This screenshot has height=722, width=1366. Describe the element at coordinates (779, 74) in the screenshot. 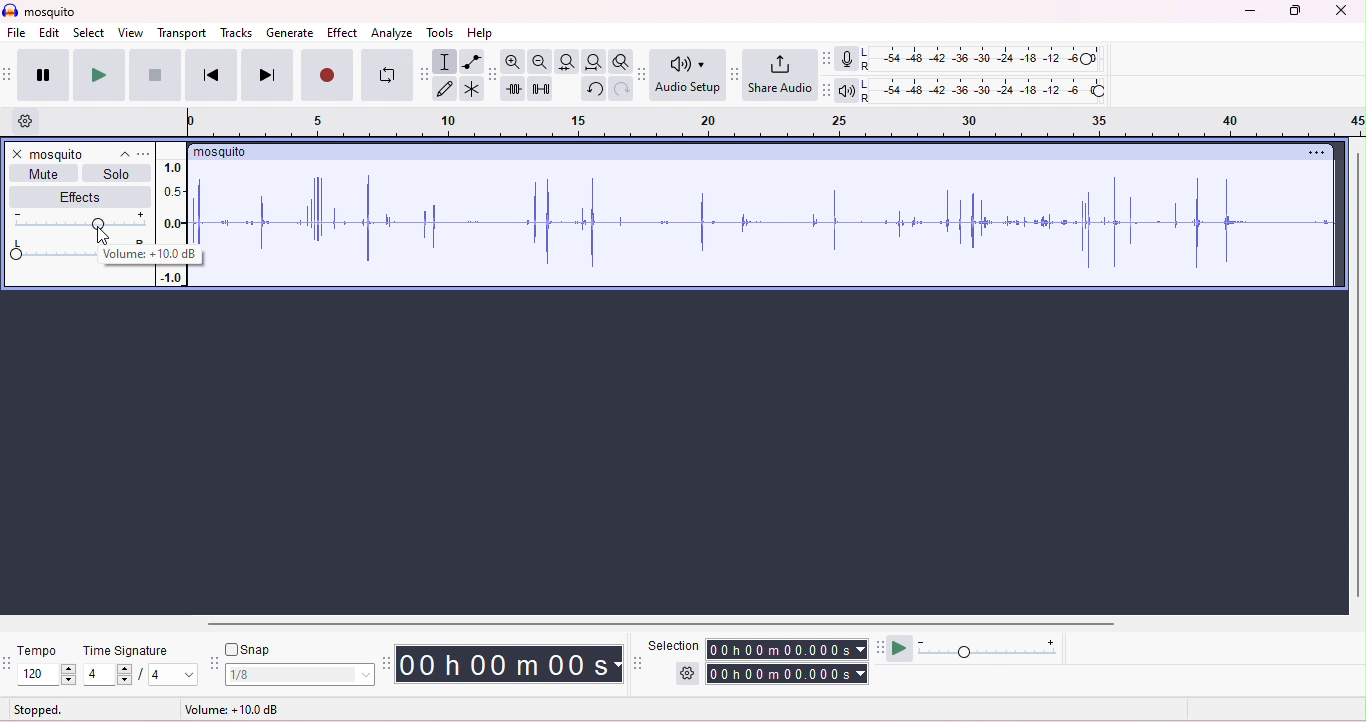

I see `share audio` at that location.